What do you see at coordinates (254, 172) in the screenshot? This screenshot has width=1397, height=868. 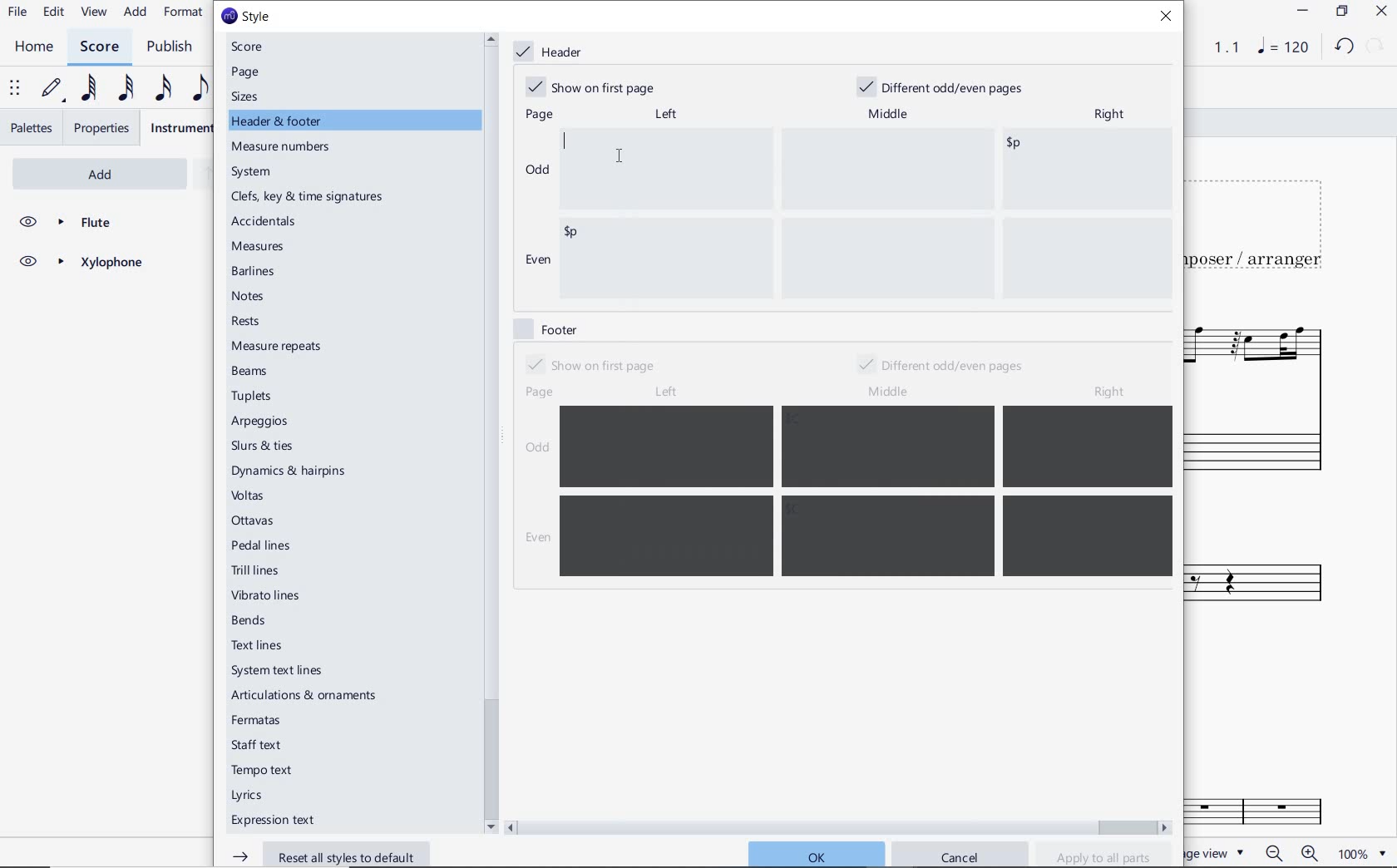 I see `system` at bounding box center [254, 172].